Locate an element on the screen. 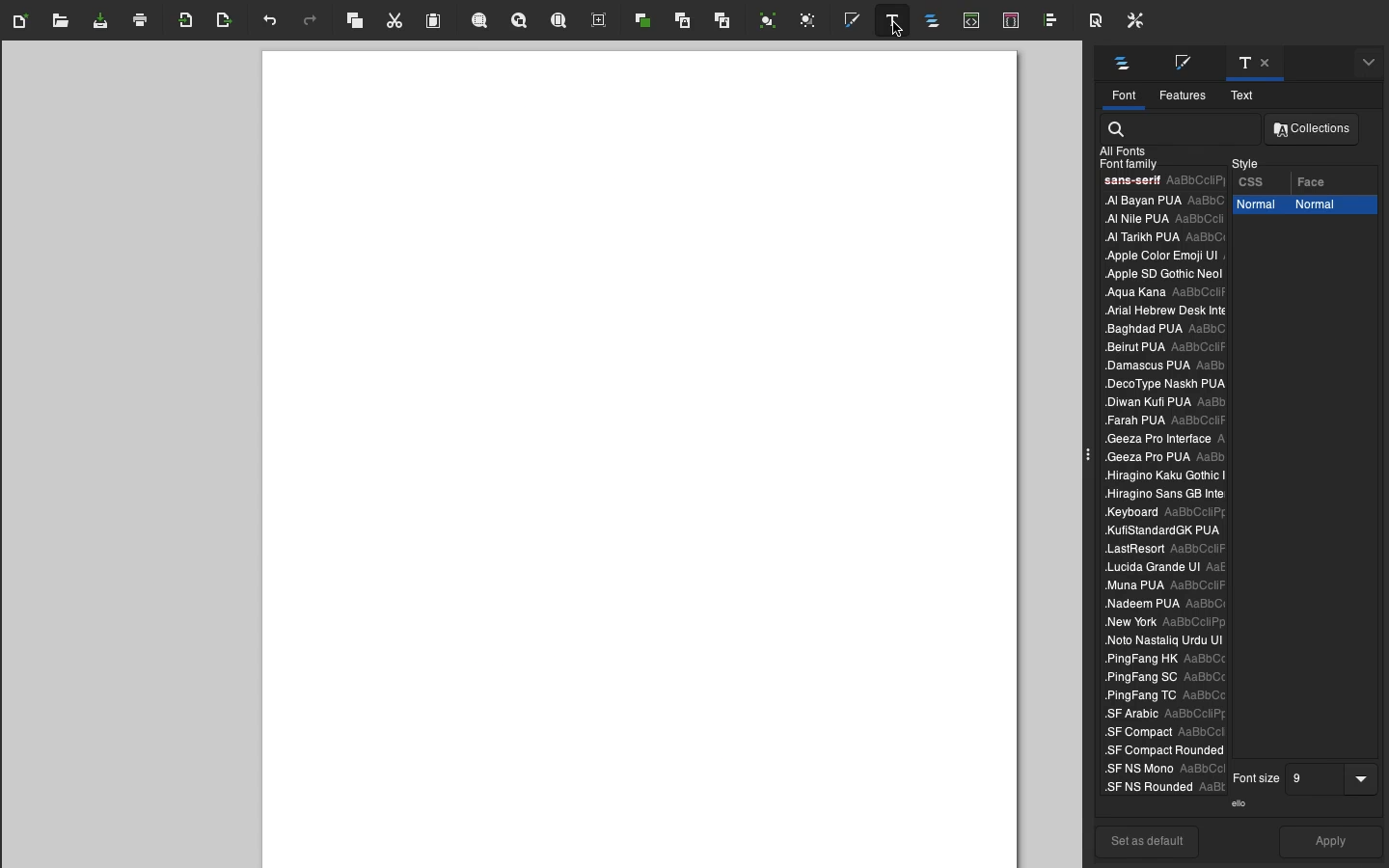 Image resolution: width=1389 pixels, height=868 pixels. Redo is located at coordinates (311, 23).